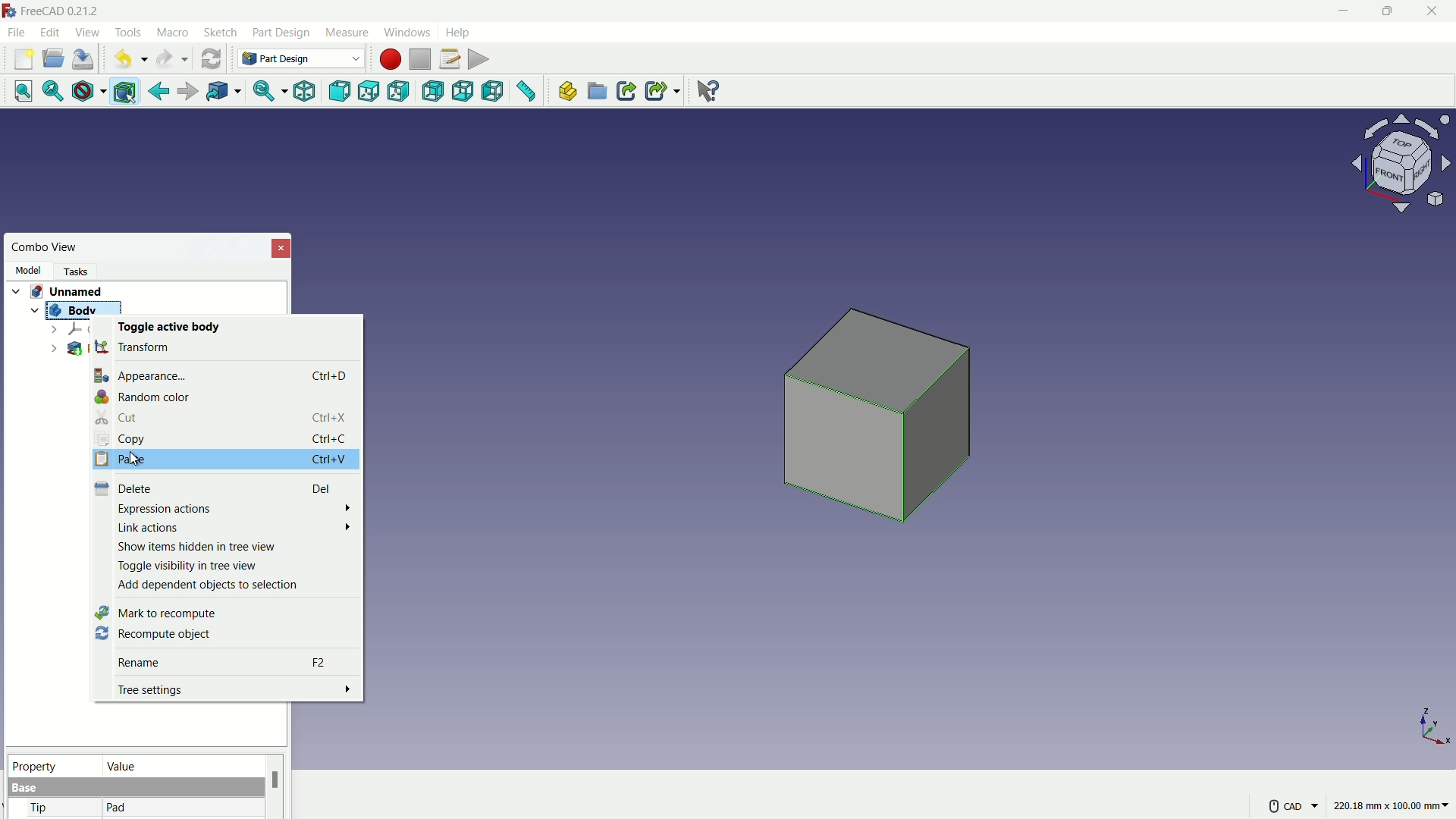 Image resolution: width=1456 pixels, height=819 pixels. Describe the element at coordinates (130, 33) in the screenshot. I see `tools` at that location.